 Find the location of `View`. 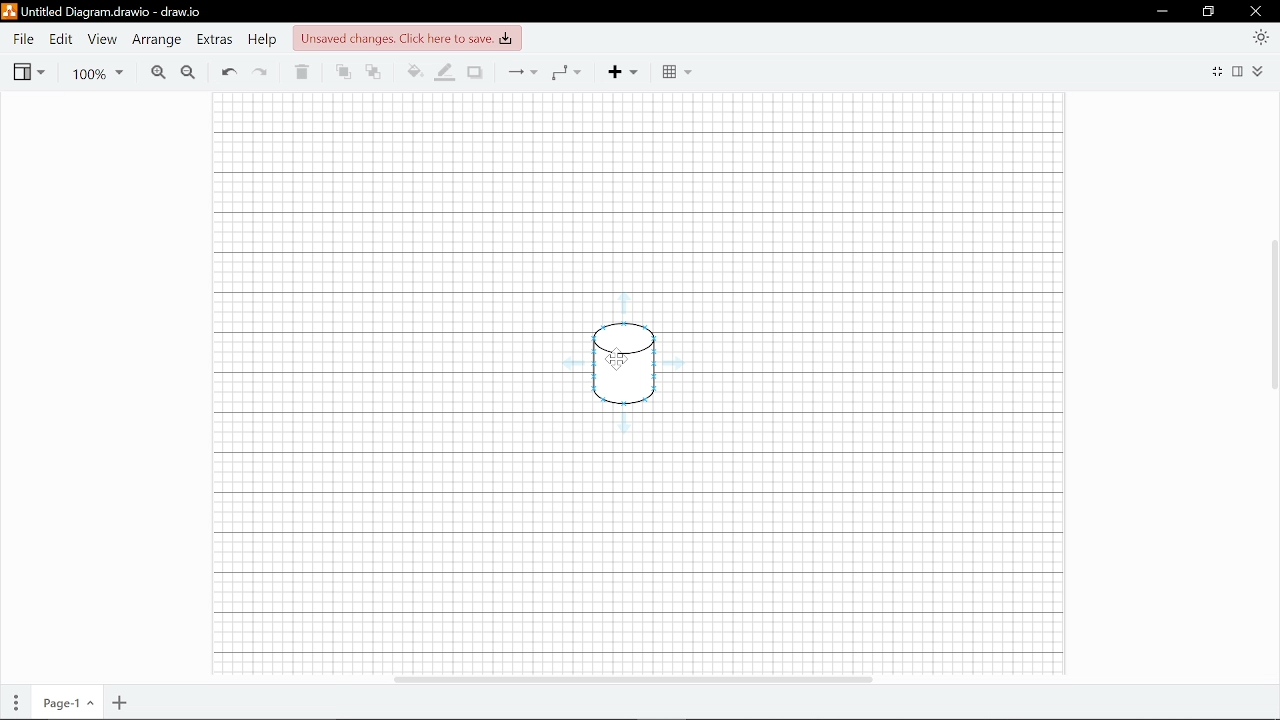

View is located at coordinates (101, 40).